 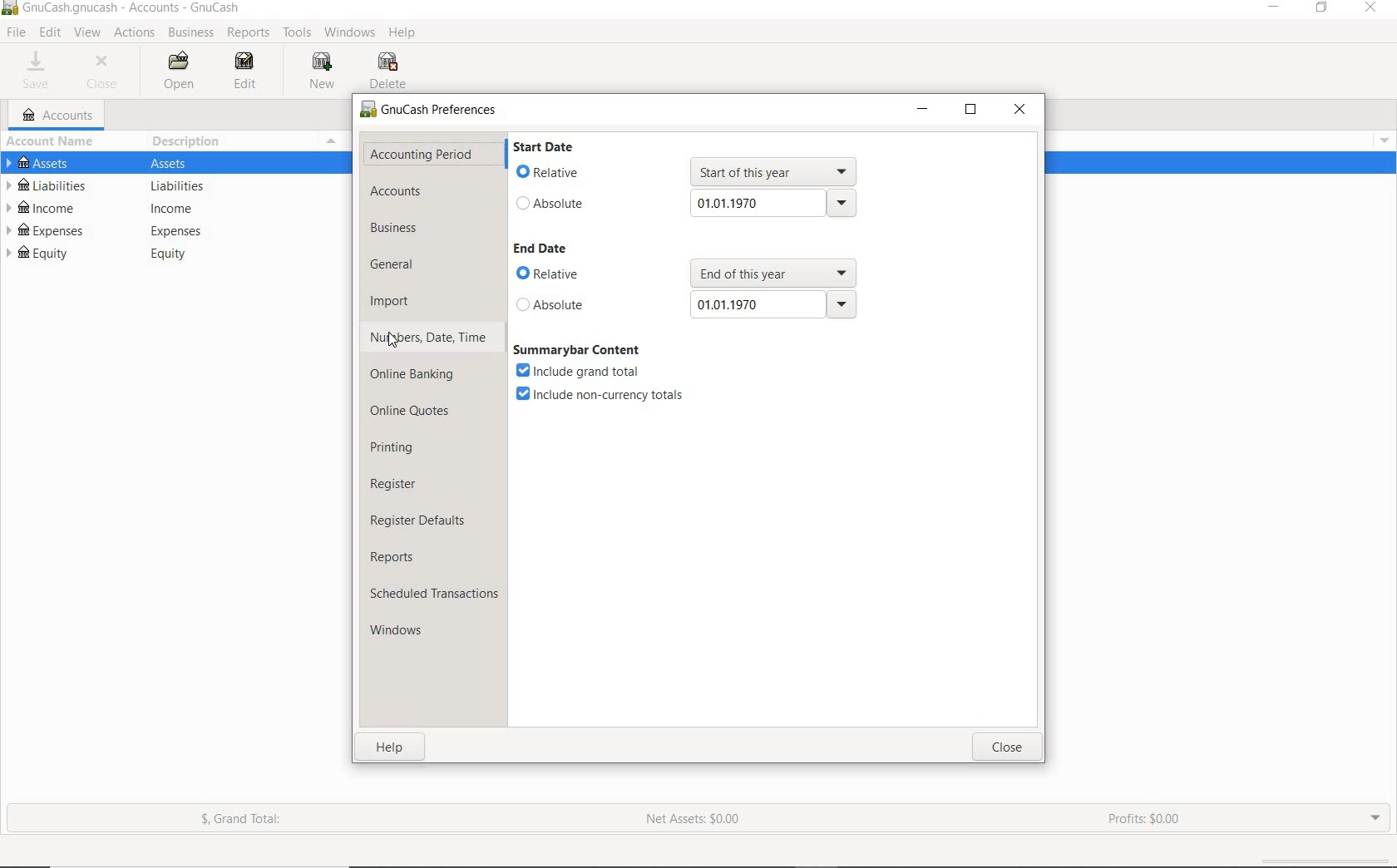 What do you see at coordinates (243, 820) in the screenshot?
I see `GRAND TOTAL` at bounding box center [243, 820].